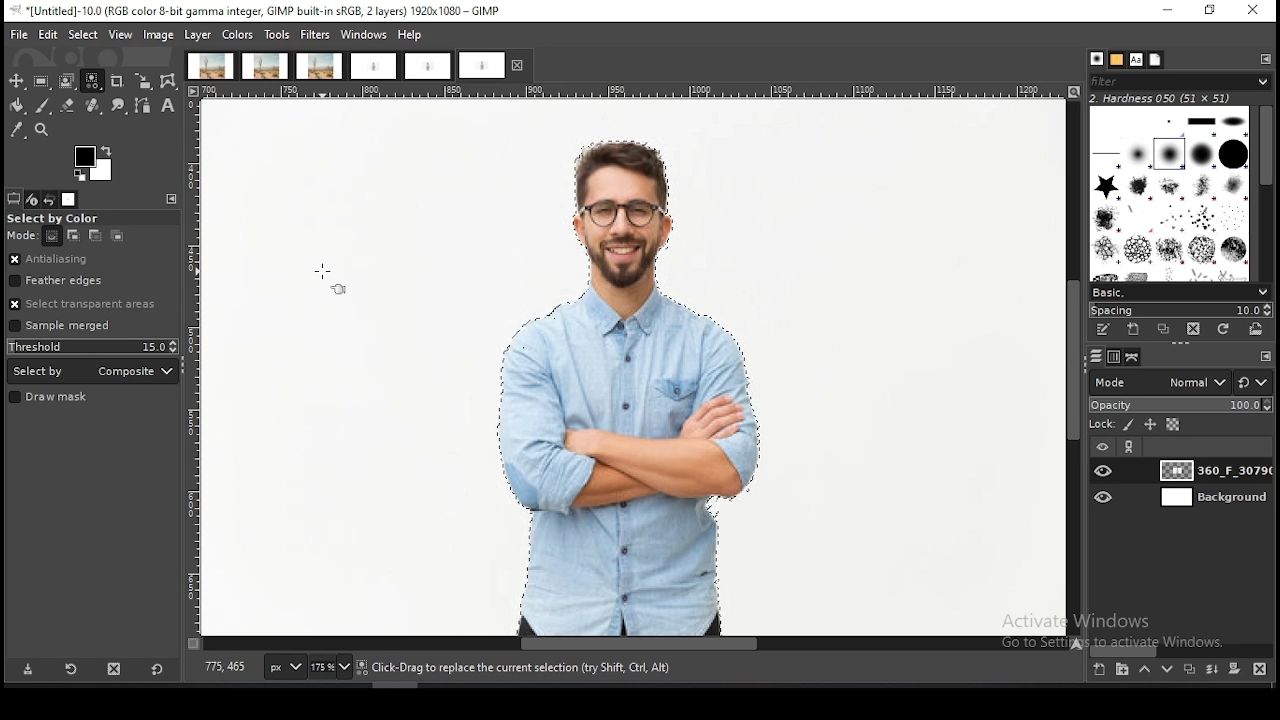 Image resolution: width=1280 pixels, height=720 pixels. What do you see at coordinates (524, 666) in the screenshot?
I see `Click-Drag to replace the current selection (try Shift, Ctrl, Alt)` at bounding box center [524, 666].